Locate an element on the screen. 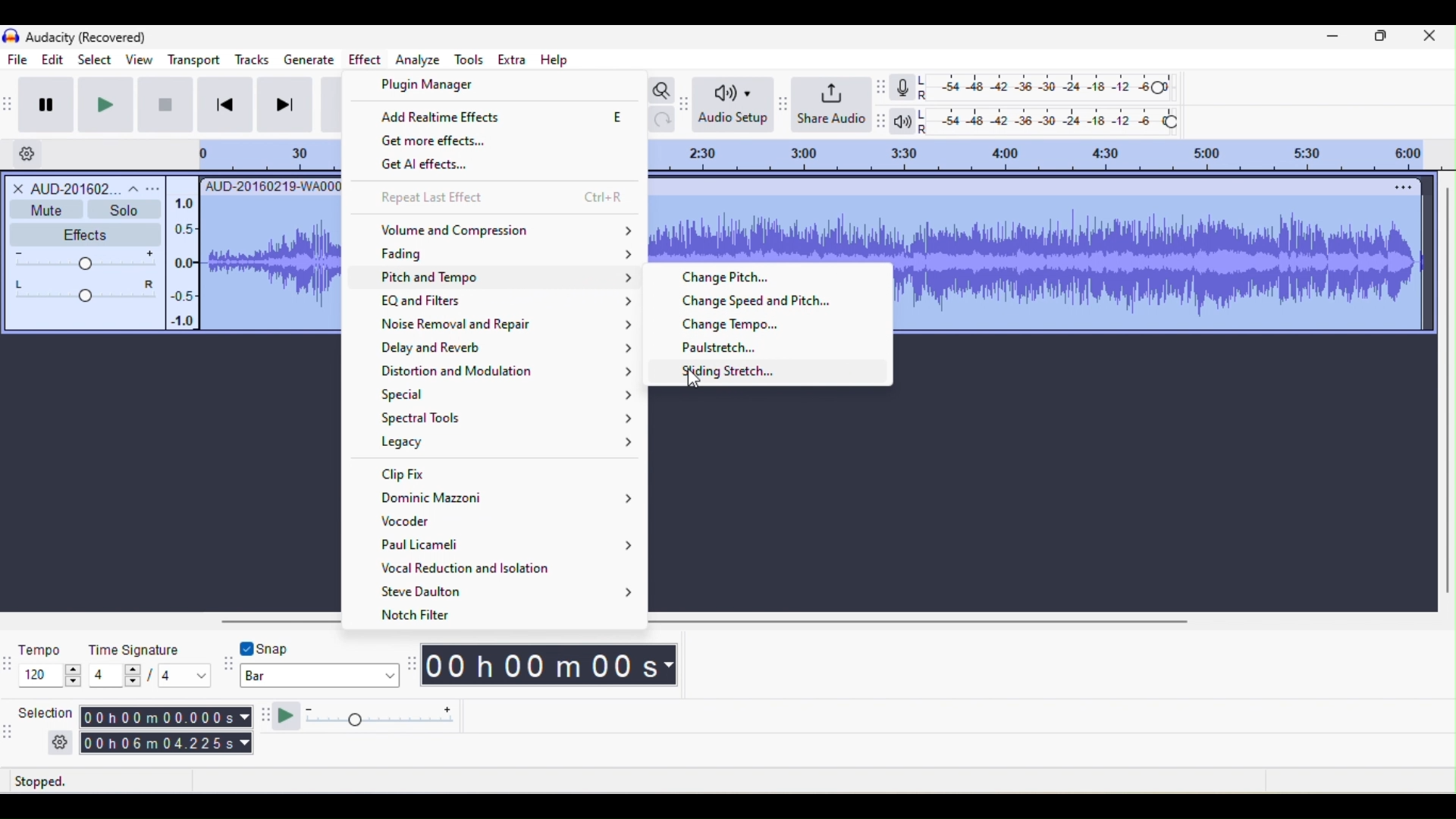 The width and height of the screenshot is (1456, 819). time signature is located at coordinates (151, 663).